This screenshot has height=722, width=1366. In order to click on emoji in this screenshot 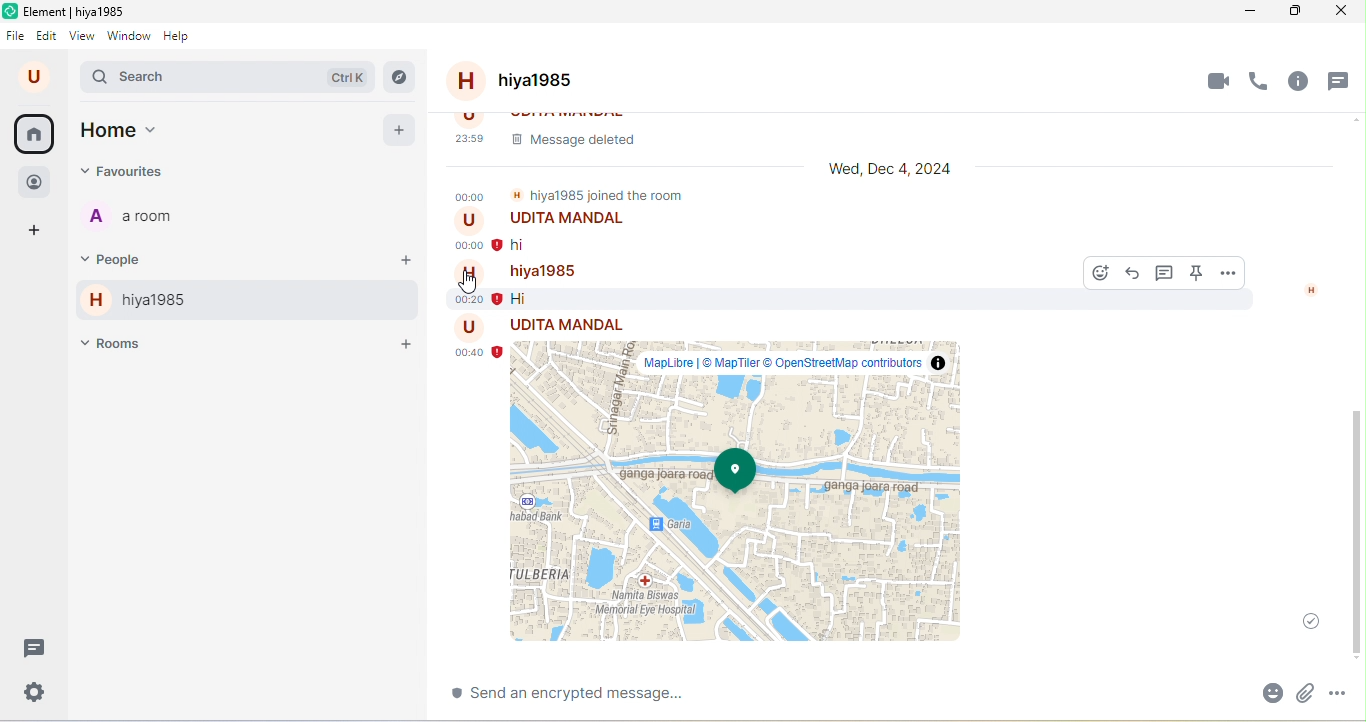, I will do `click(1271, 691)`.